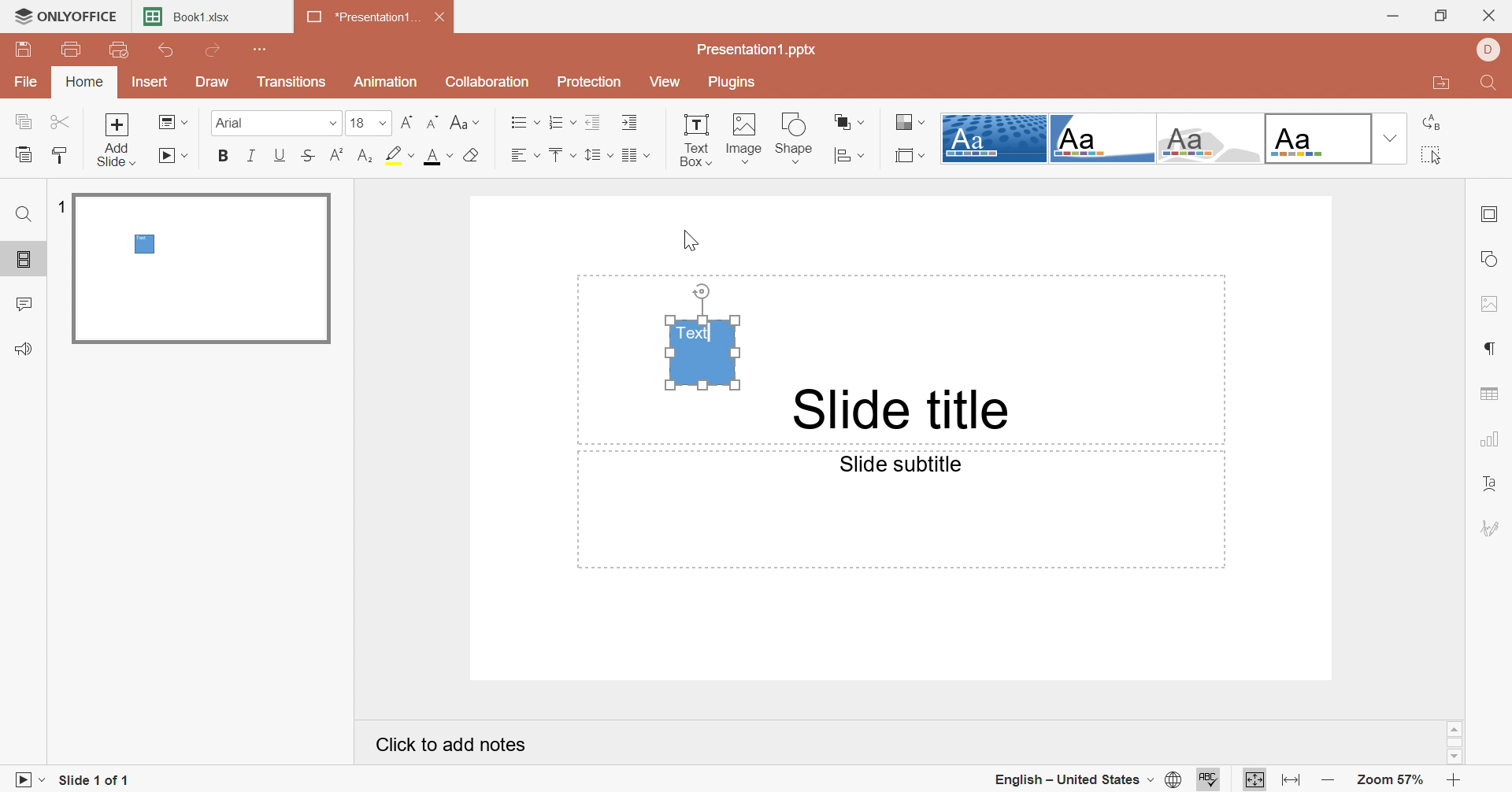 The image size is (1512, 792). I want to click on Comments, so click(23, 305).